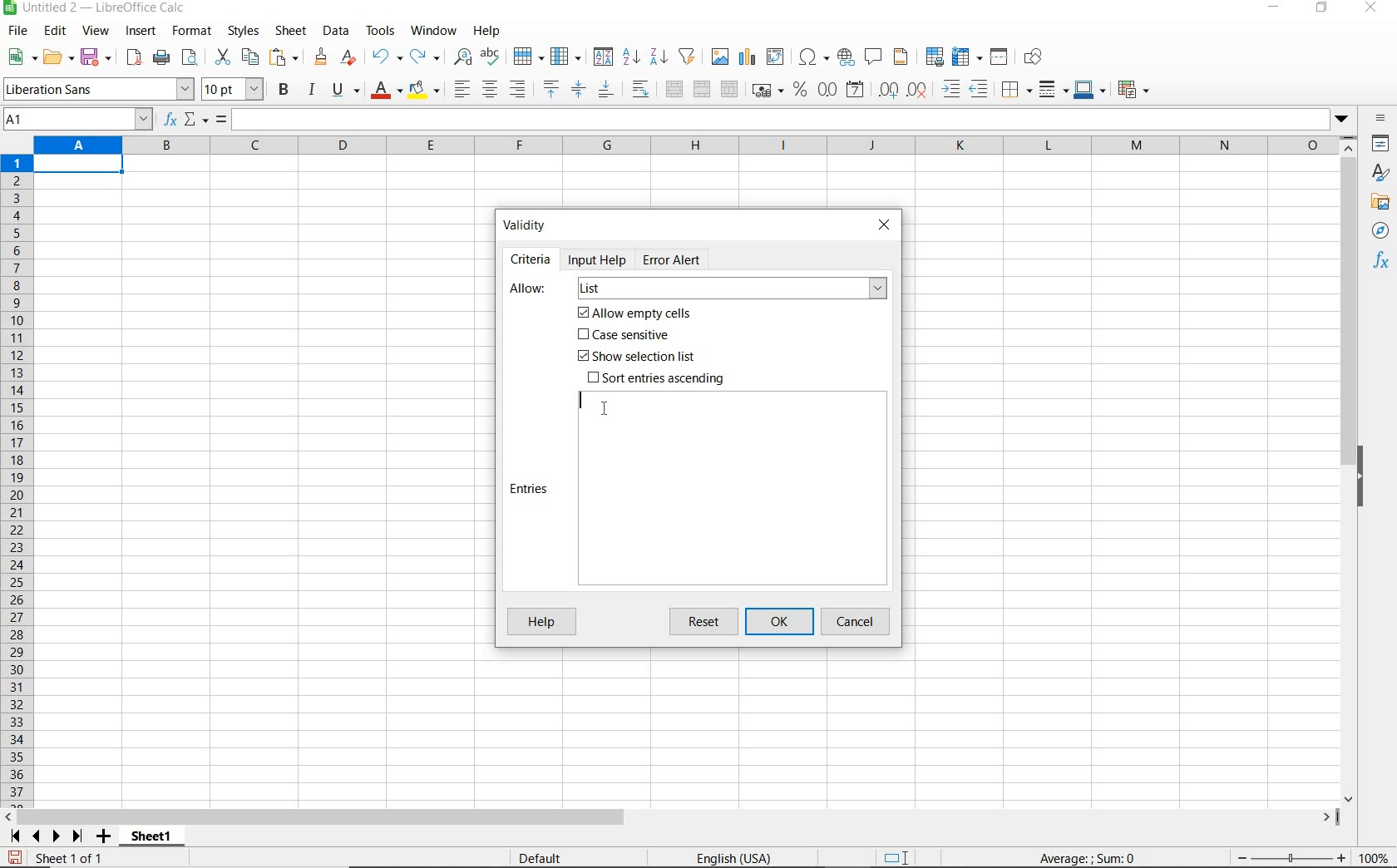 The width and height of the screenshot is (1397, 868). What do you see at coordinates (889, 91) in the screenshot?
I see `add decimal place` at bounding box center [889, 91].